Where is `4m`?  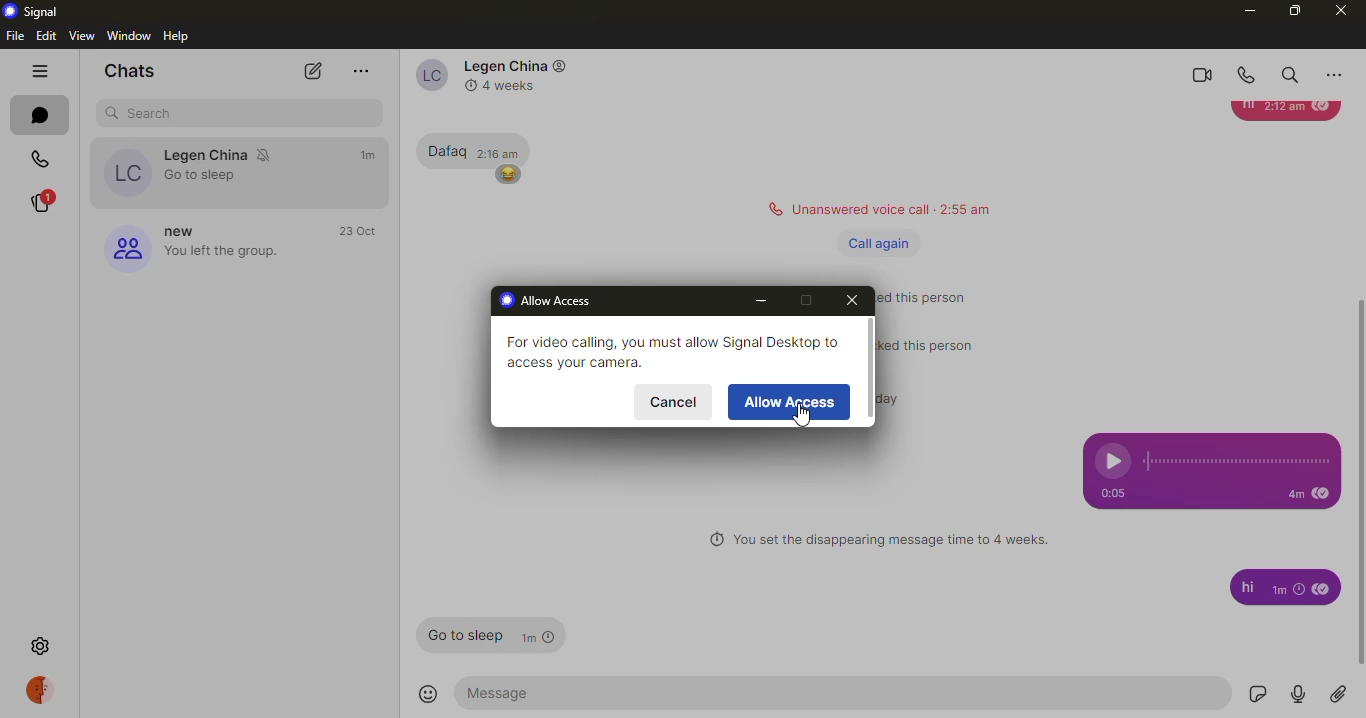 4m is located at coordinates (1283, 495).